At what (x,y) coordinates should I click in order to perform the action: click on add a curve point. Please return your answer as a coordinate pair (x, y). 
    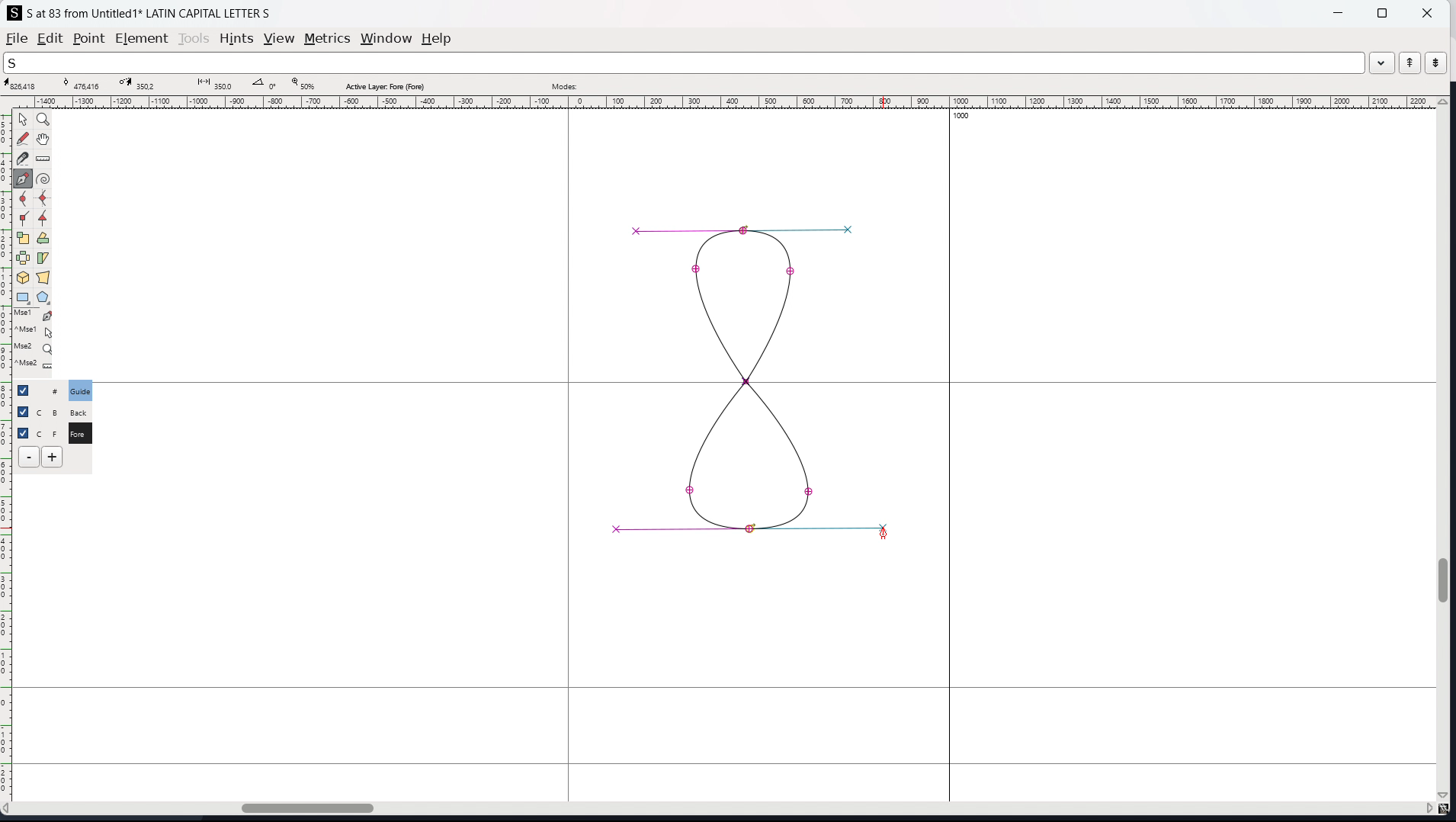
    Looking at the image, I should click on (24, 199).